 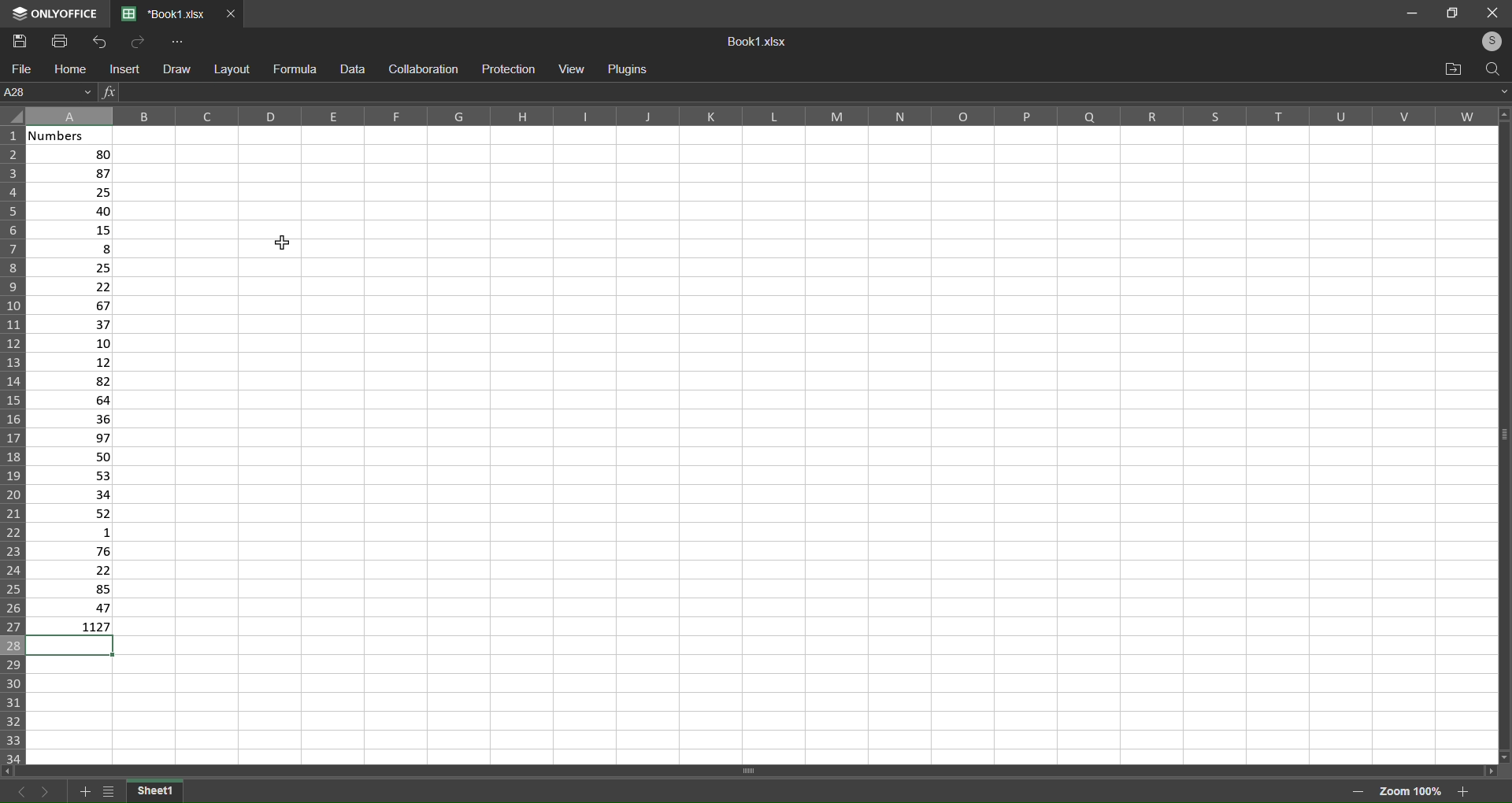 I want to click on Zoom 100%, so click(x=1410, y=790).